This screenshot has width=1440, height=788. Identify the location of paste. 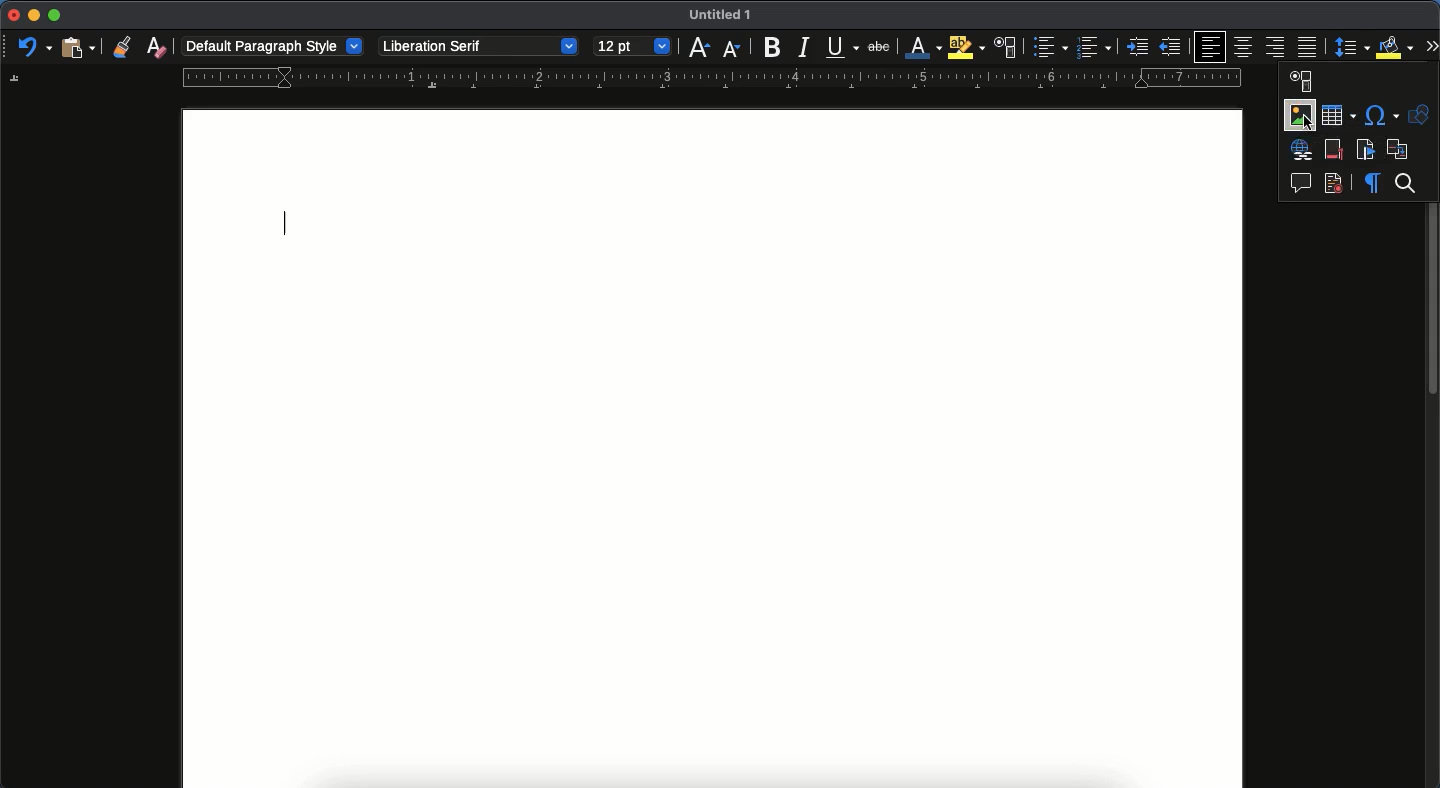
(77, 46).